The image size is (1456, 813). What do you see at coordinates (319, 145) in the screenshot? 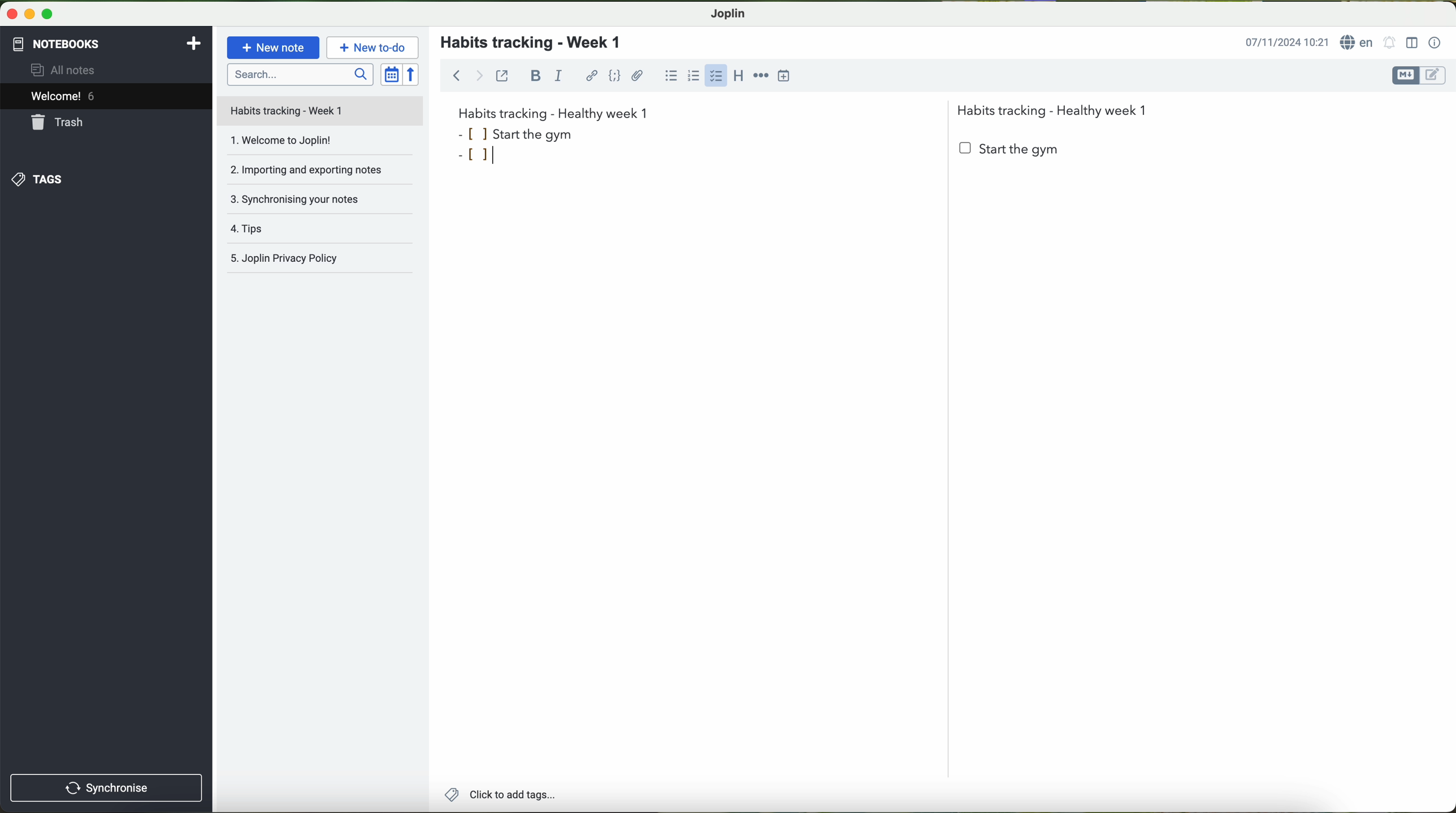
I see `welcome to Joplin` at bounding box center [319, 145].